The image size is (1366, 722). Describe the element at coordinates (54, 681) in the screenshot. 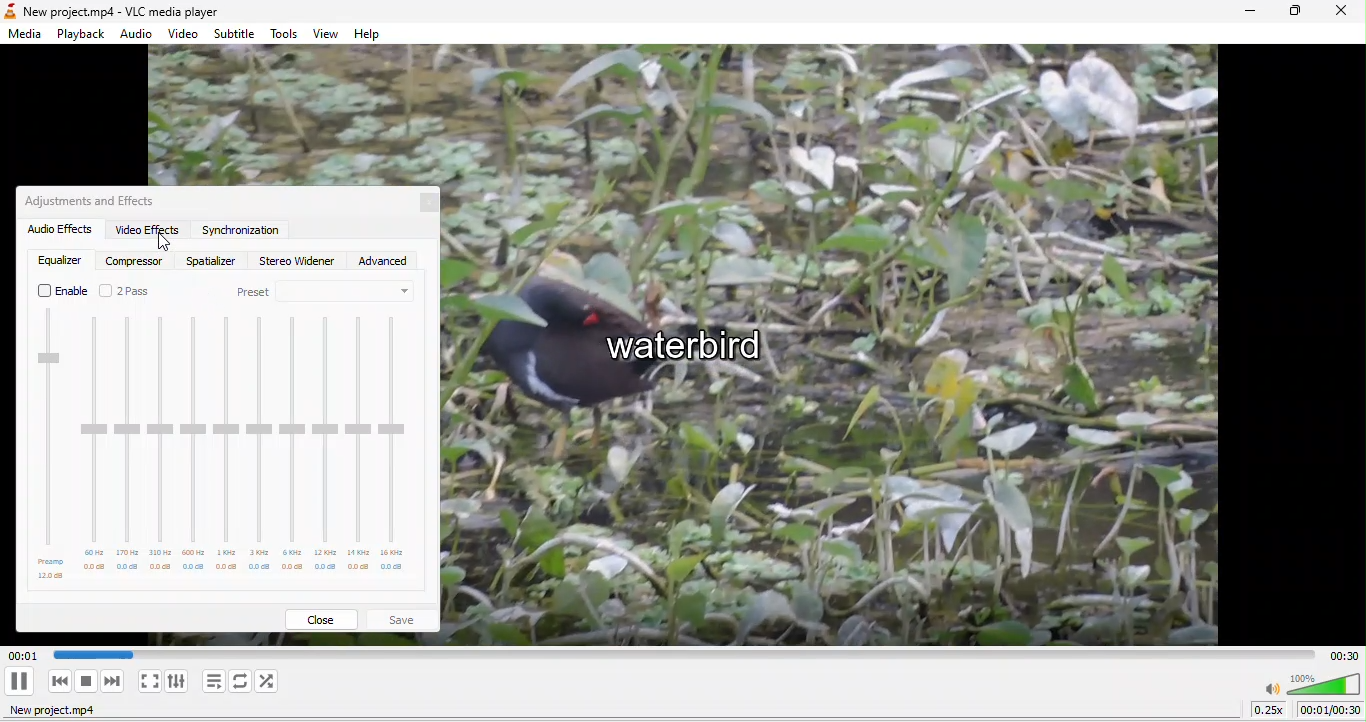

I see `previous media` at that location.